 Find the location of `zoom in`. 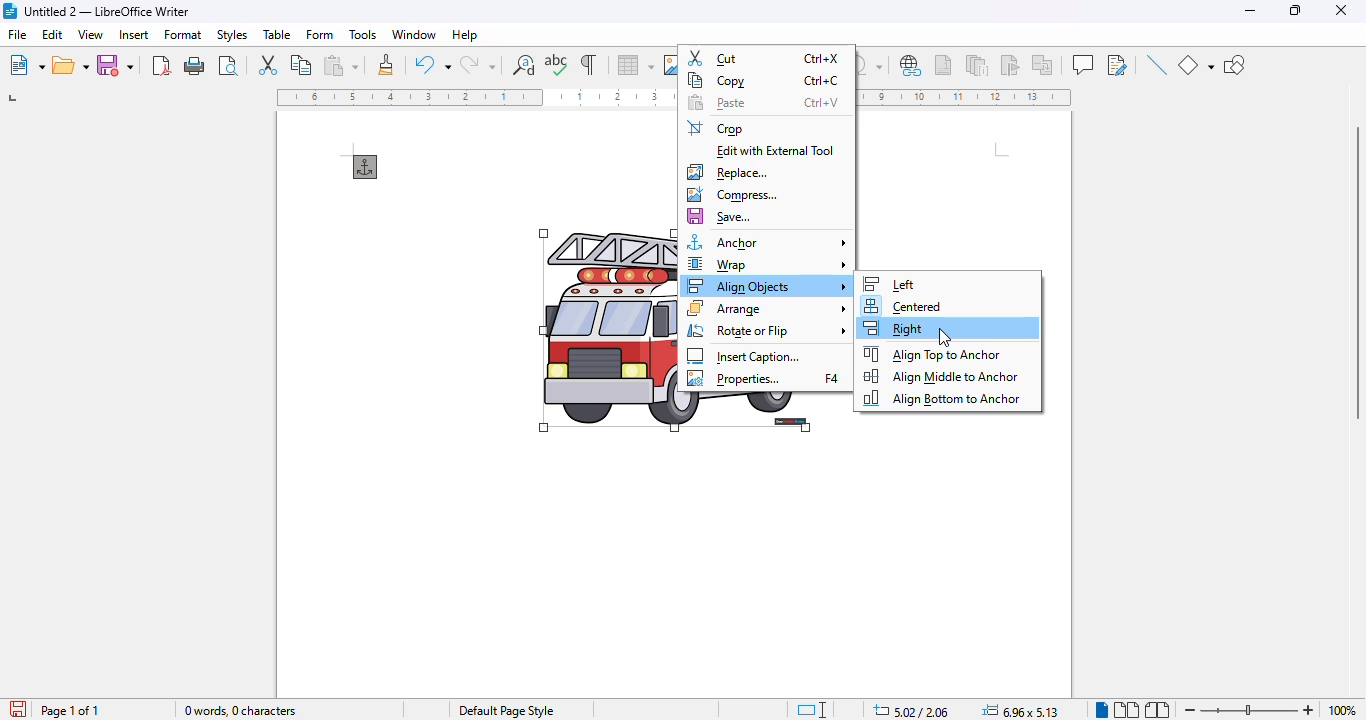

zoom in is located at coordinates (1309, 710).